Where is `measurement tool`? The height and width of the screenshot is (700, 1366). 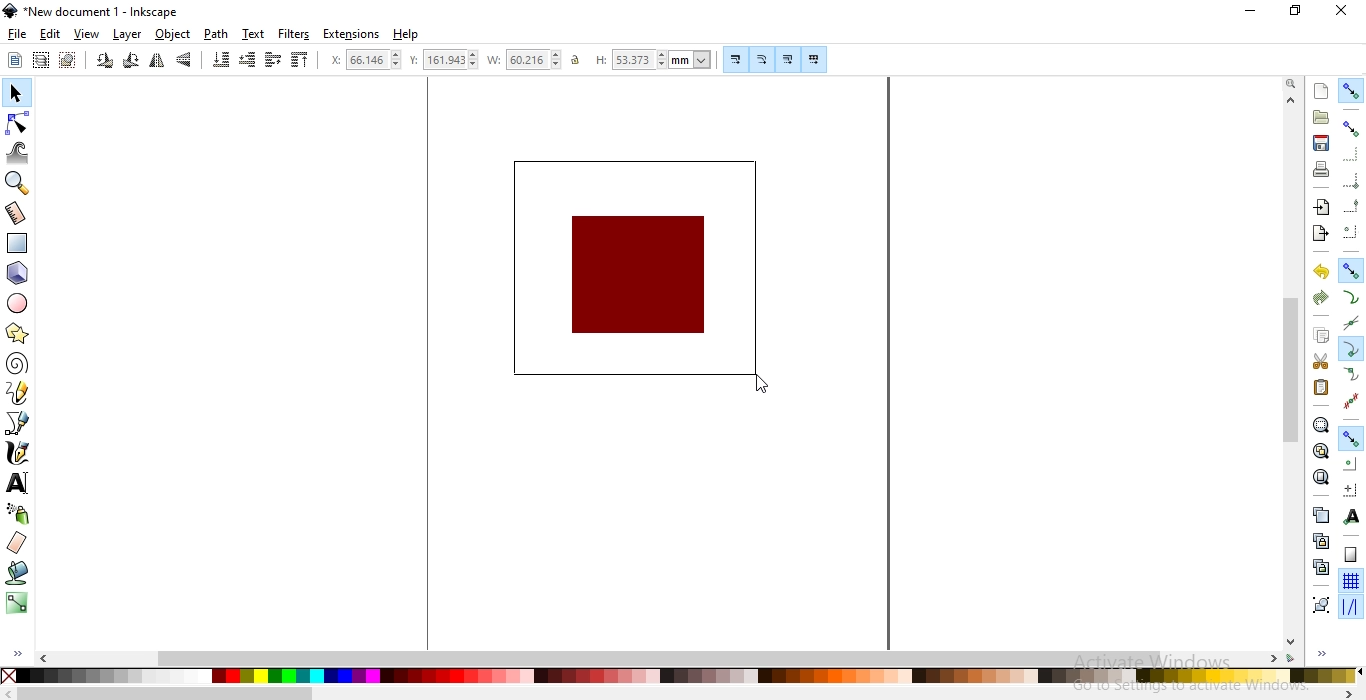 measurement tool is located at coordinates (17, 214).